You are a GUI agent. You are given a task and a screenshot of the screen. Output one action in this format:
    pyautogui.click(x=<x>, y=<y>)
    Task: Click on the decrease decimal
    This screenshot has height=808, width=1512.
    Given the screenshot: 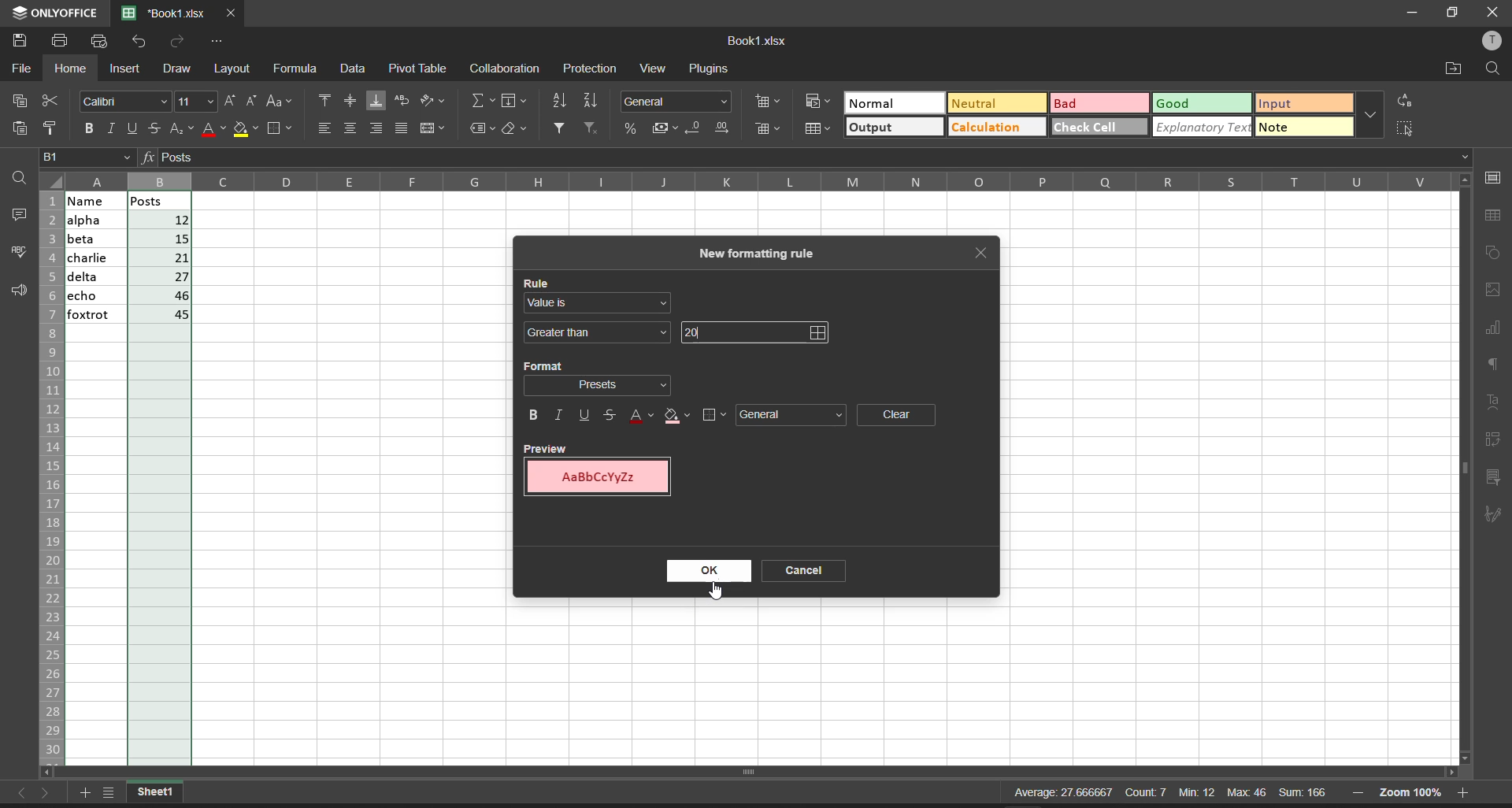 What is the action you would take?
    pyautogui.click(x=690, y=127)
    